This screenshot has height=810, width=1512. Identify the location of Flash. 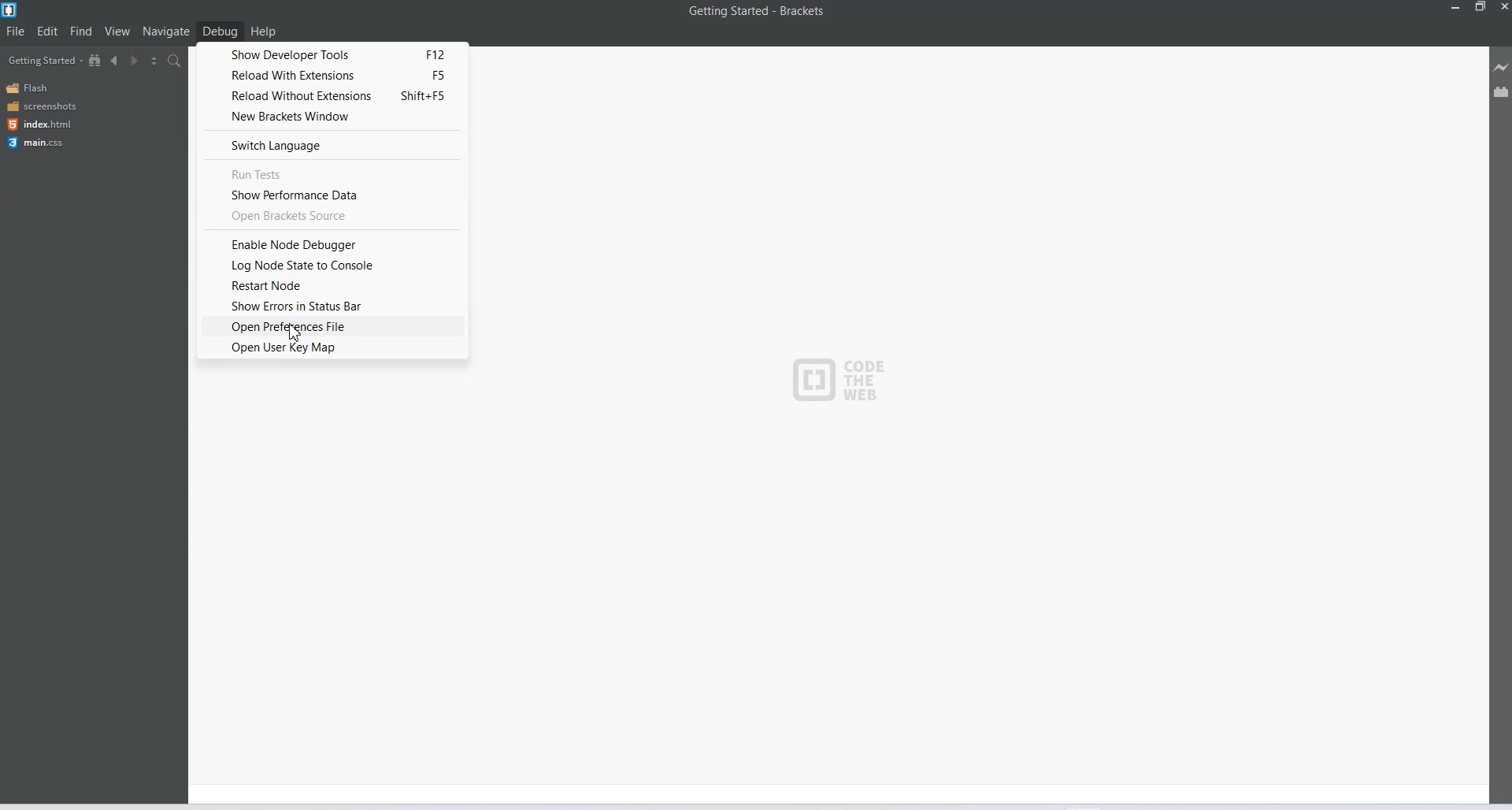
(32, 88).